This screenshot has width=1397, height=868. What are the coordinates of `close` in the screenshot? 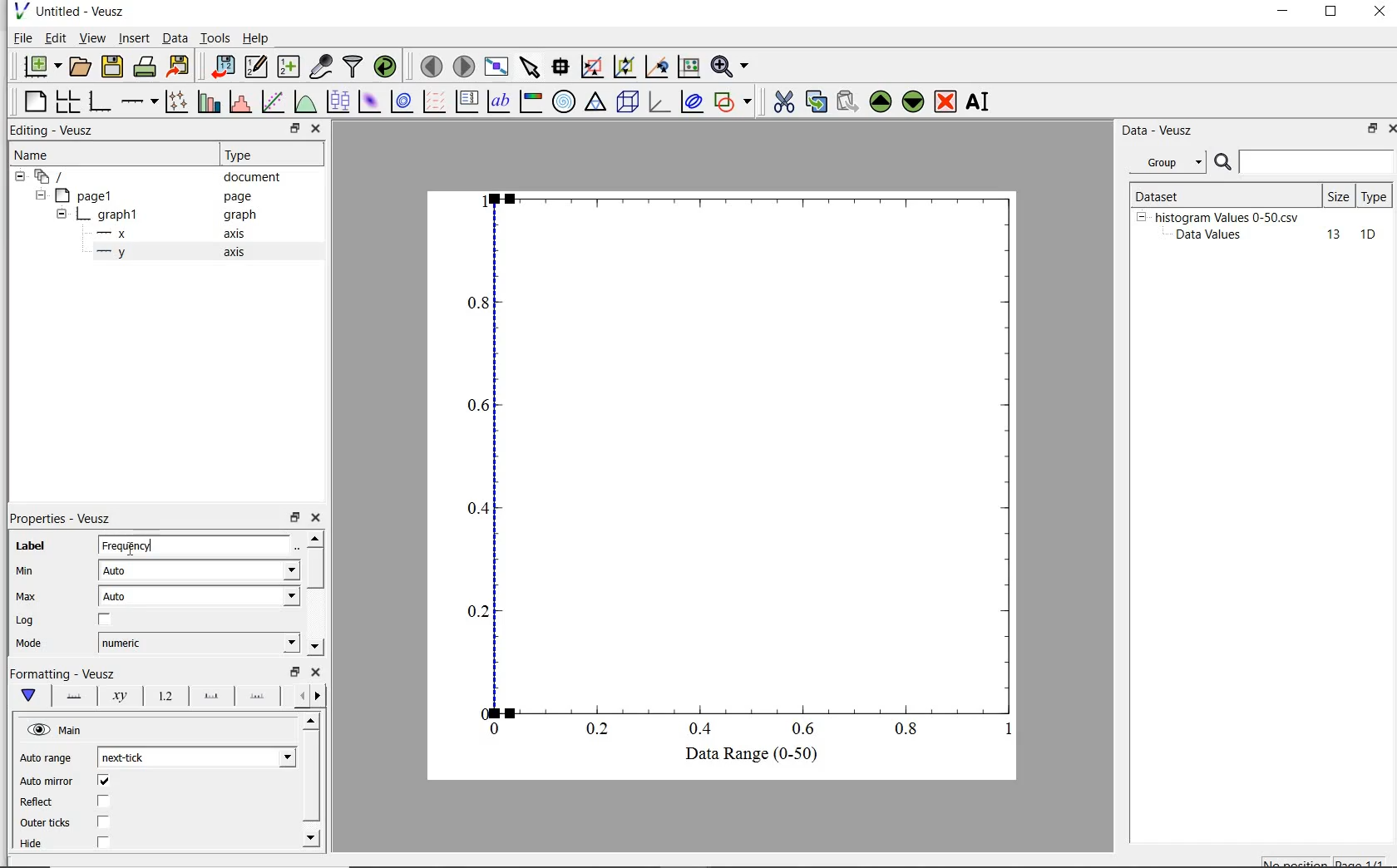 It's located at (316, 672).